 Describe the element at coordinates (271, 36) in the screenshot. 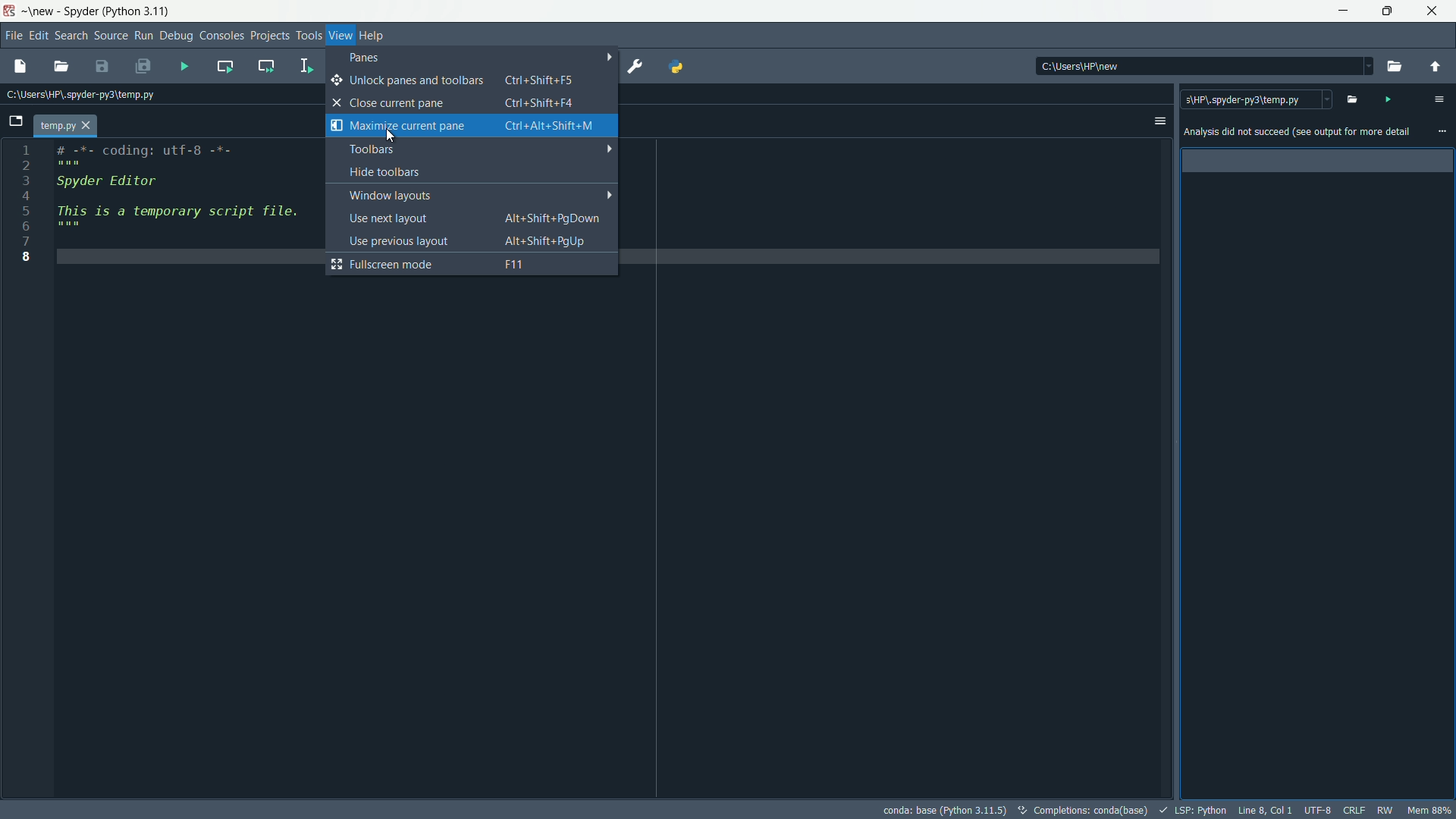

I see `project menu` at that location.